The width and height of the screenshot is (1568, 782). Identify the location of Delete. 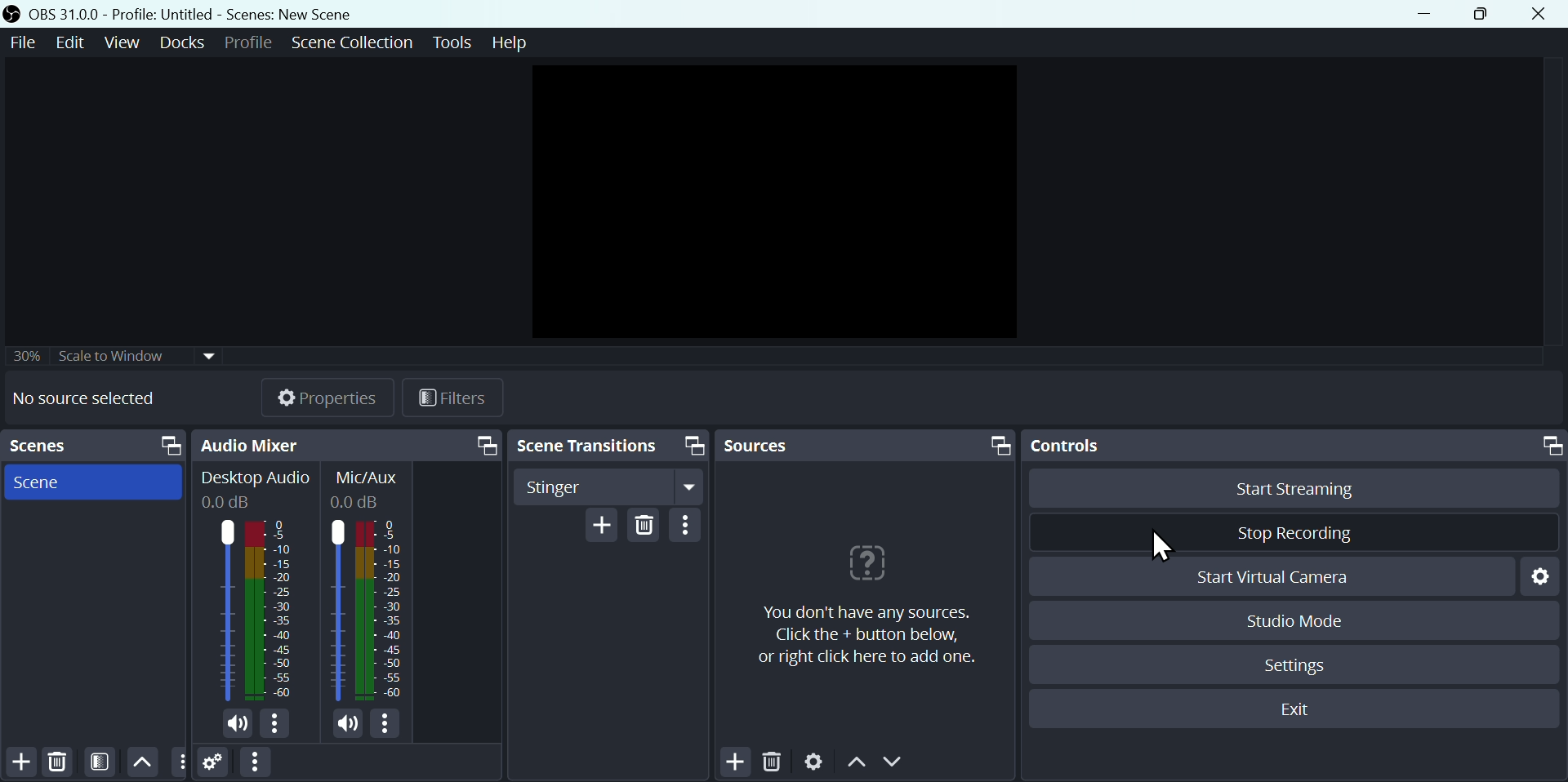
(770, 762).